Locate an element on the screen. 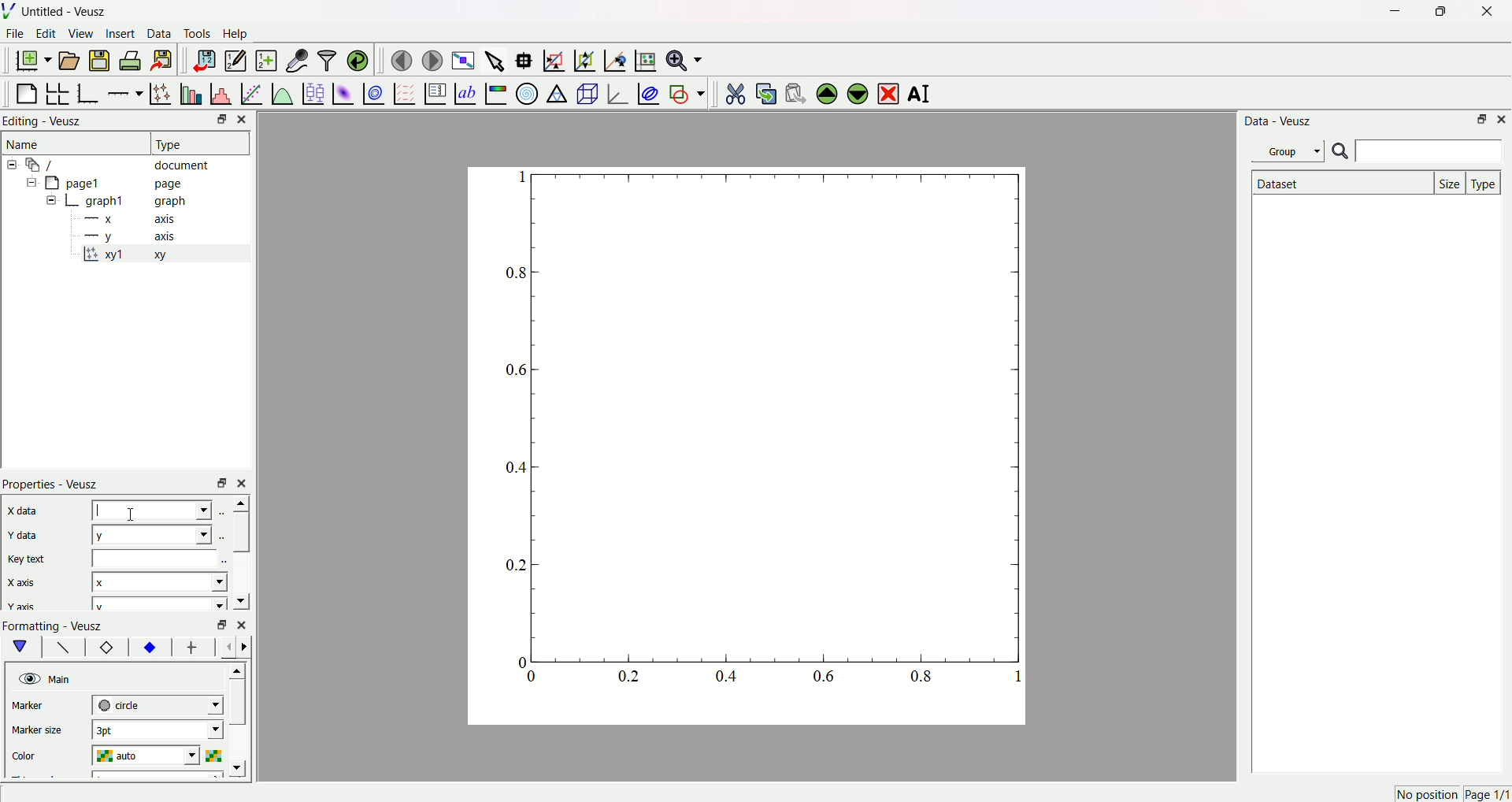  plot box plots is located at coordinates (313, 91).